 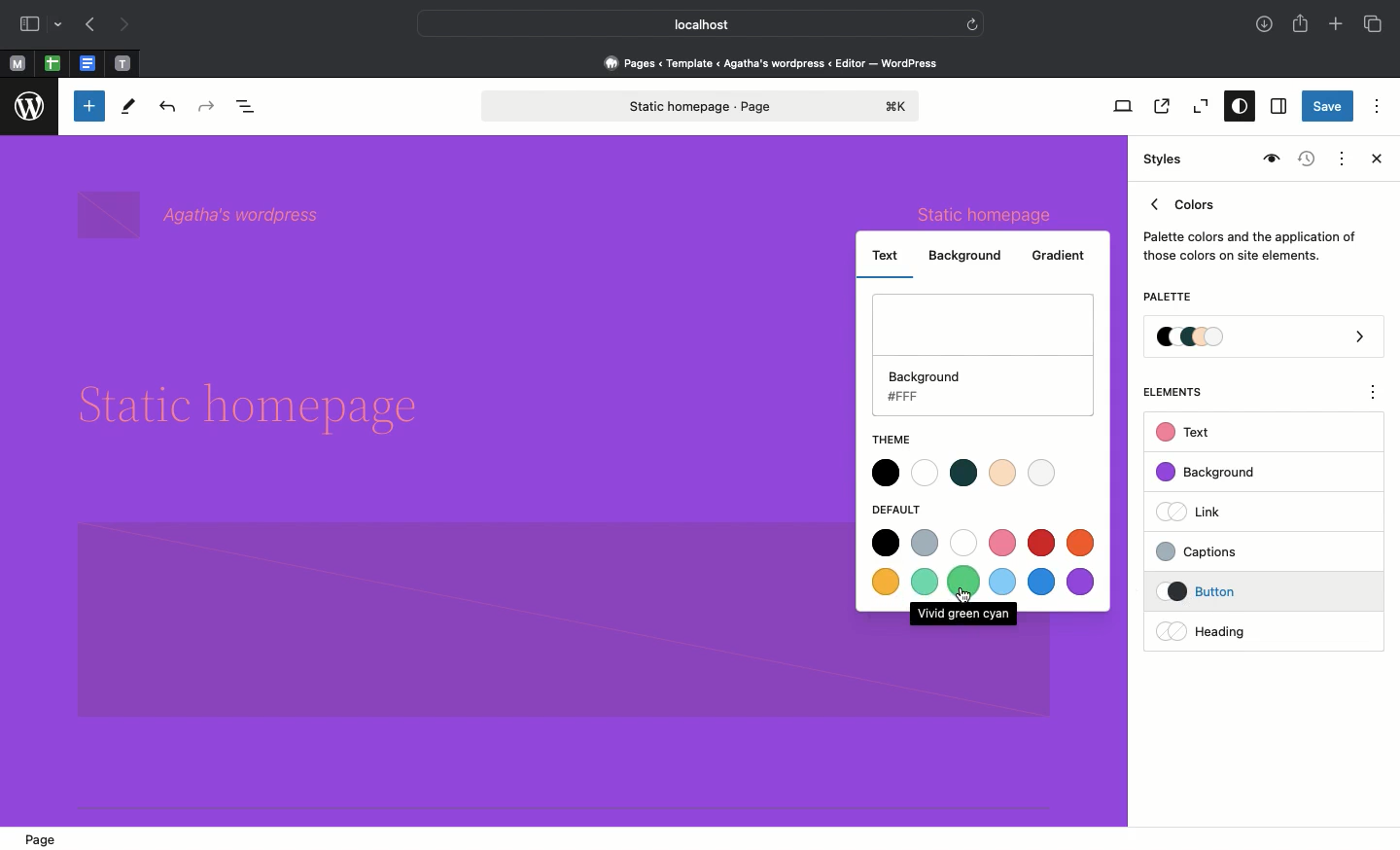 I want to click on Gradient, so click(x=1065, y=255).